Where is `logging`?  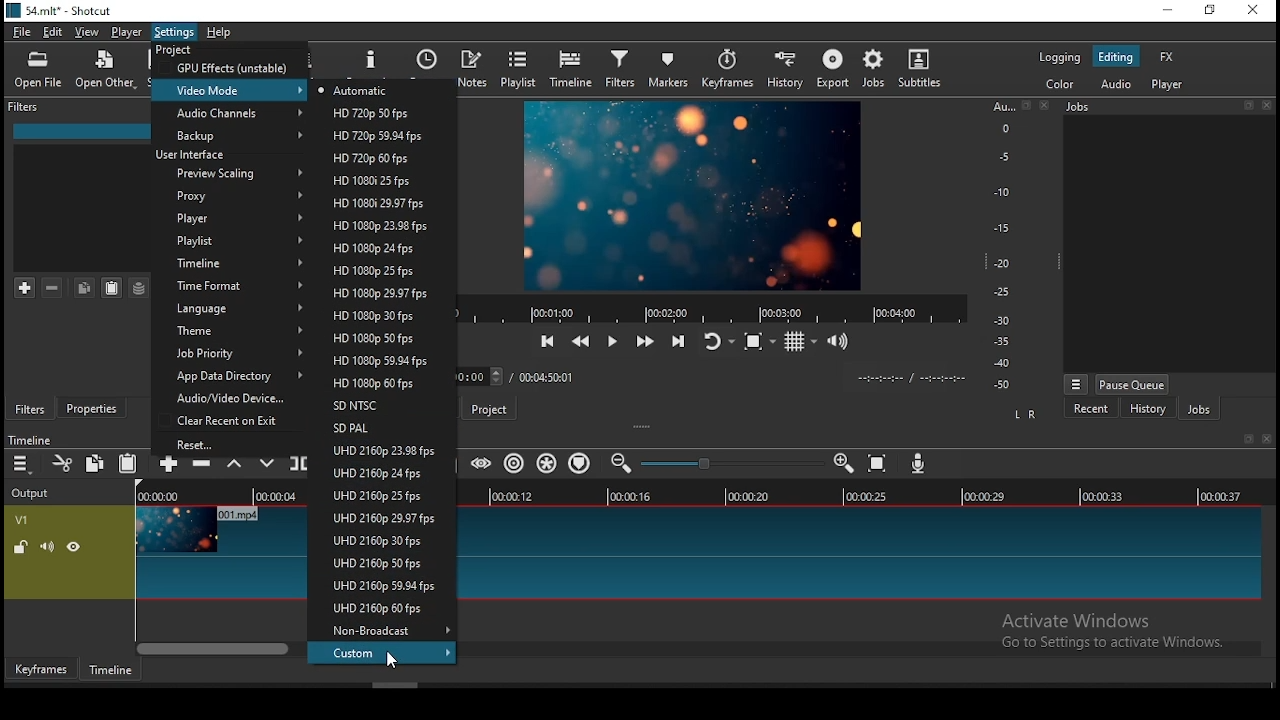
logging is located at coordinates (1059, 56).